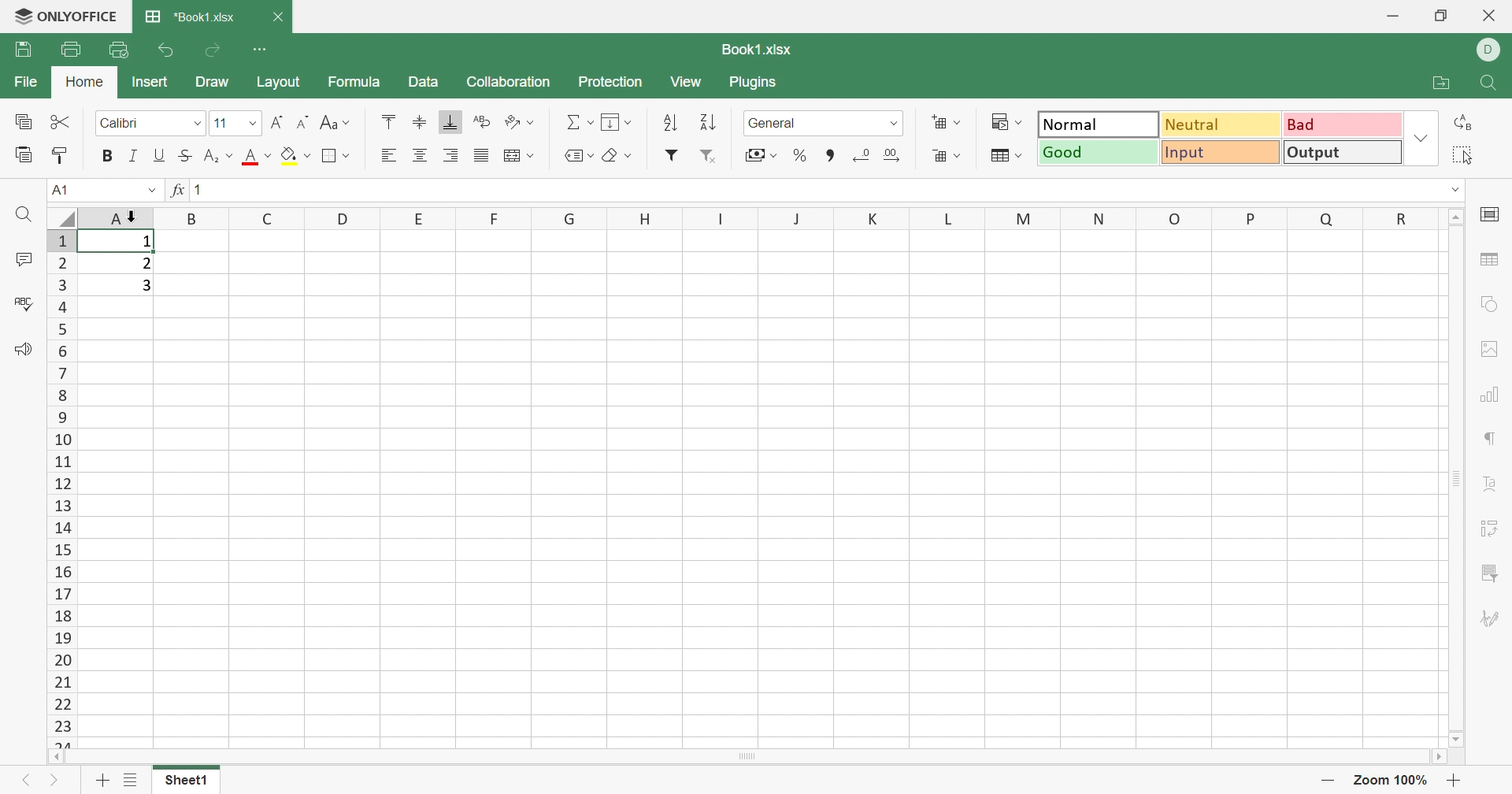 Image resolution: width=1512 pixels, height=794 pixels. I want to click on Filter, so click(671, 155).